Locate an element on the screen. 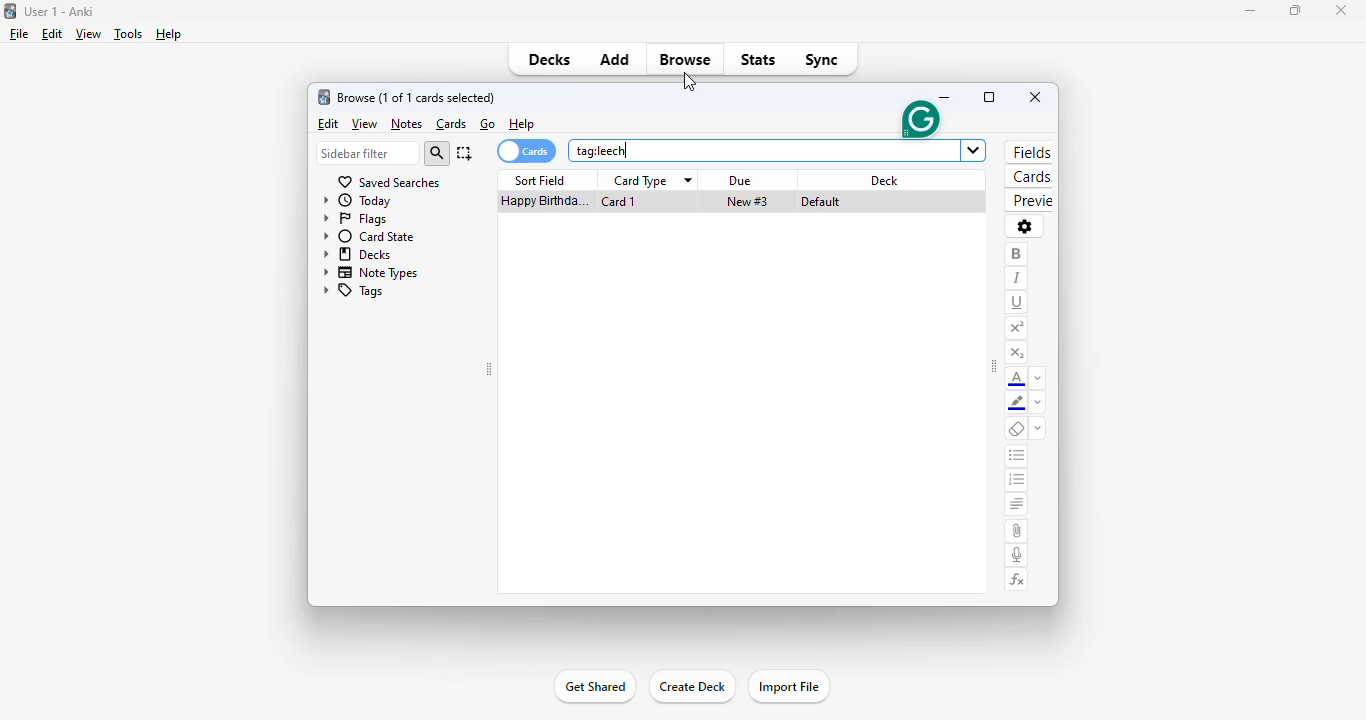 The width and height of the screenshot is (1366, 720). bold is located at coordinates (1018, 255).